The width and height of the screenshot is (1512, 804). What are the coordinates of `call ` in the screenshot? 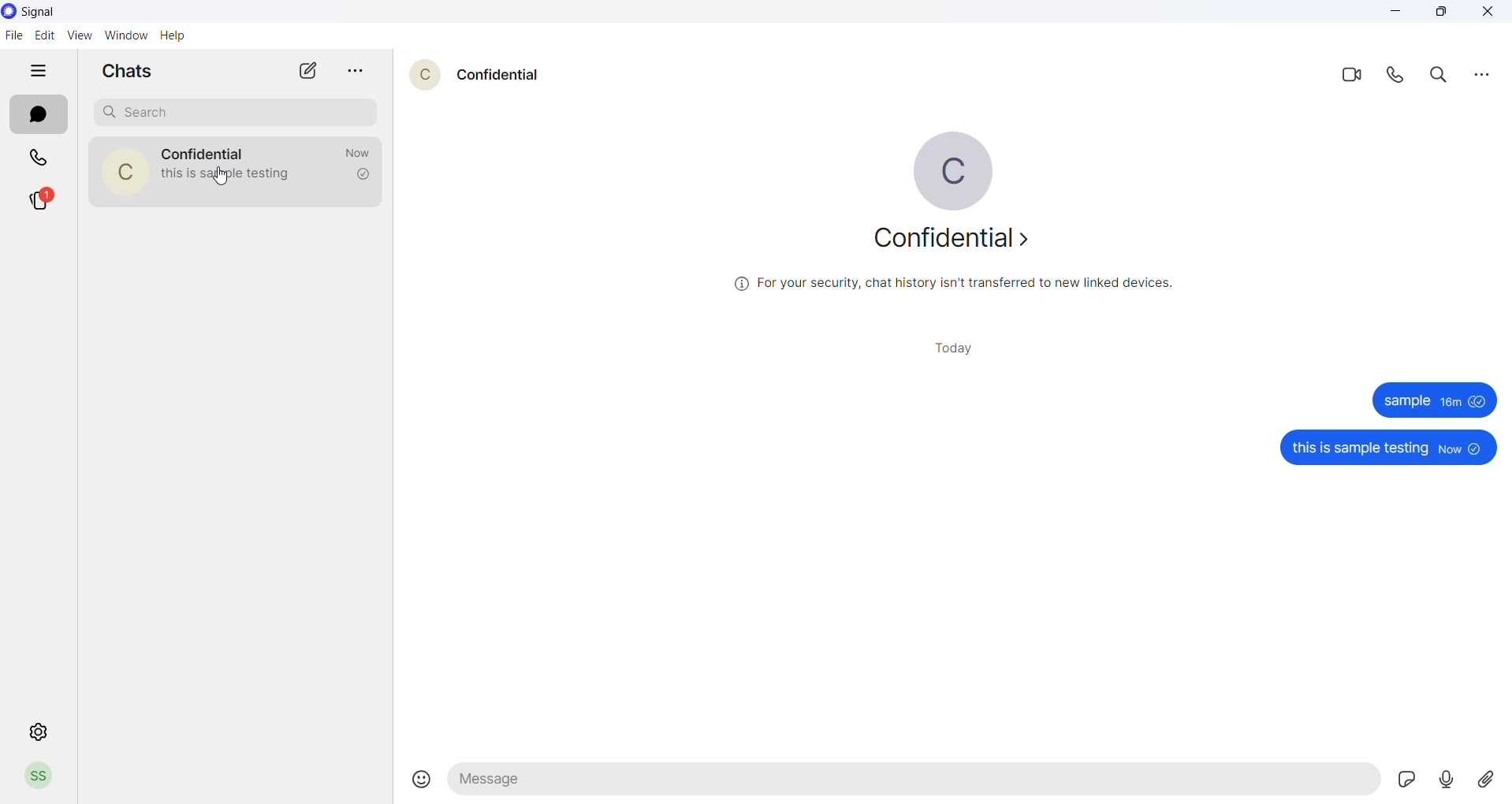 It's located at (1401, 76).